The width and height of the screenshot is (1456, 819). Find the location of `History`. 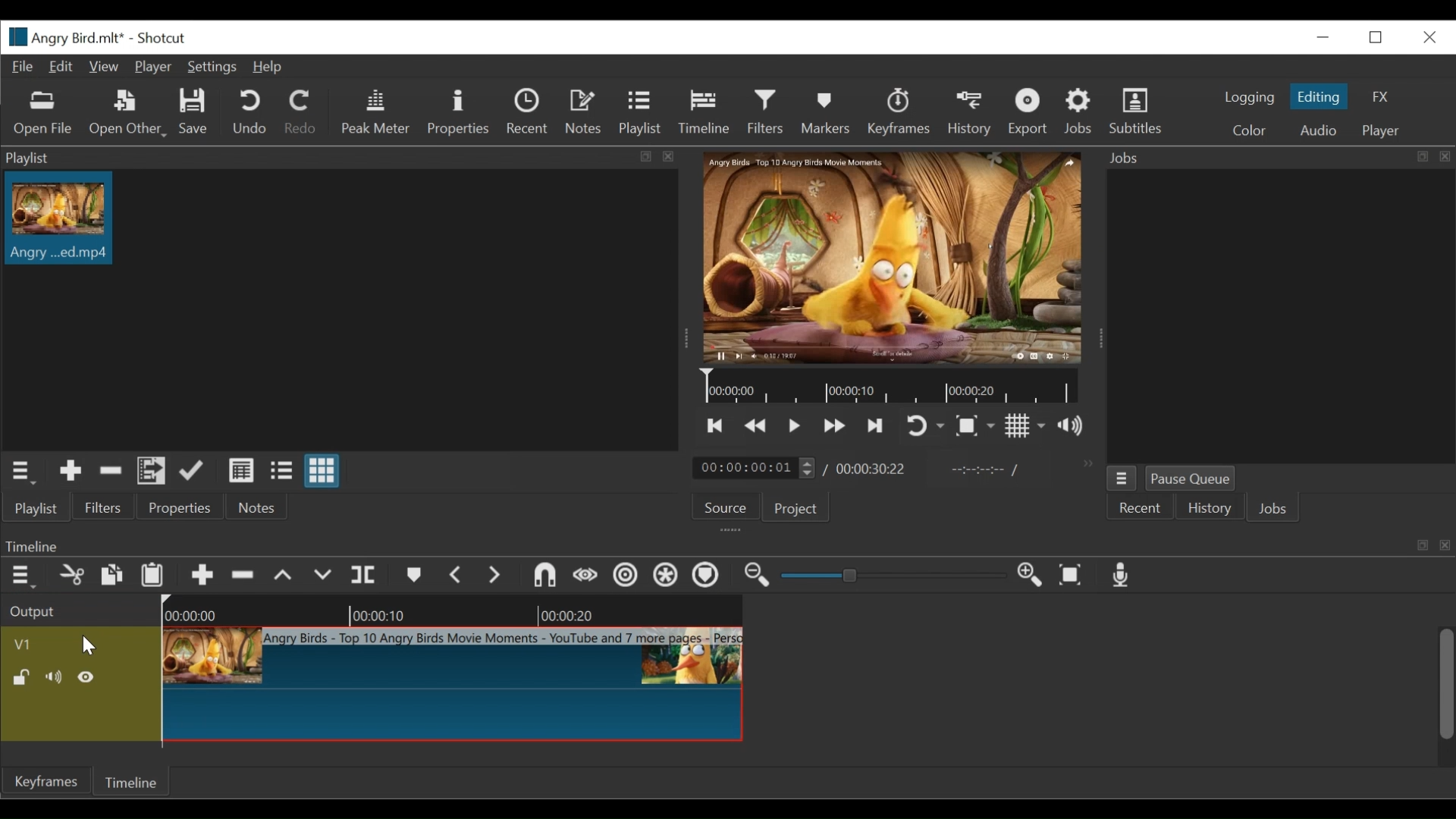

History is located at coordinates (971, 115).